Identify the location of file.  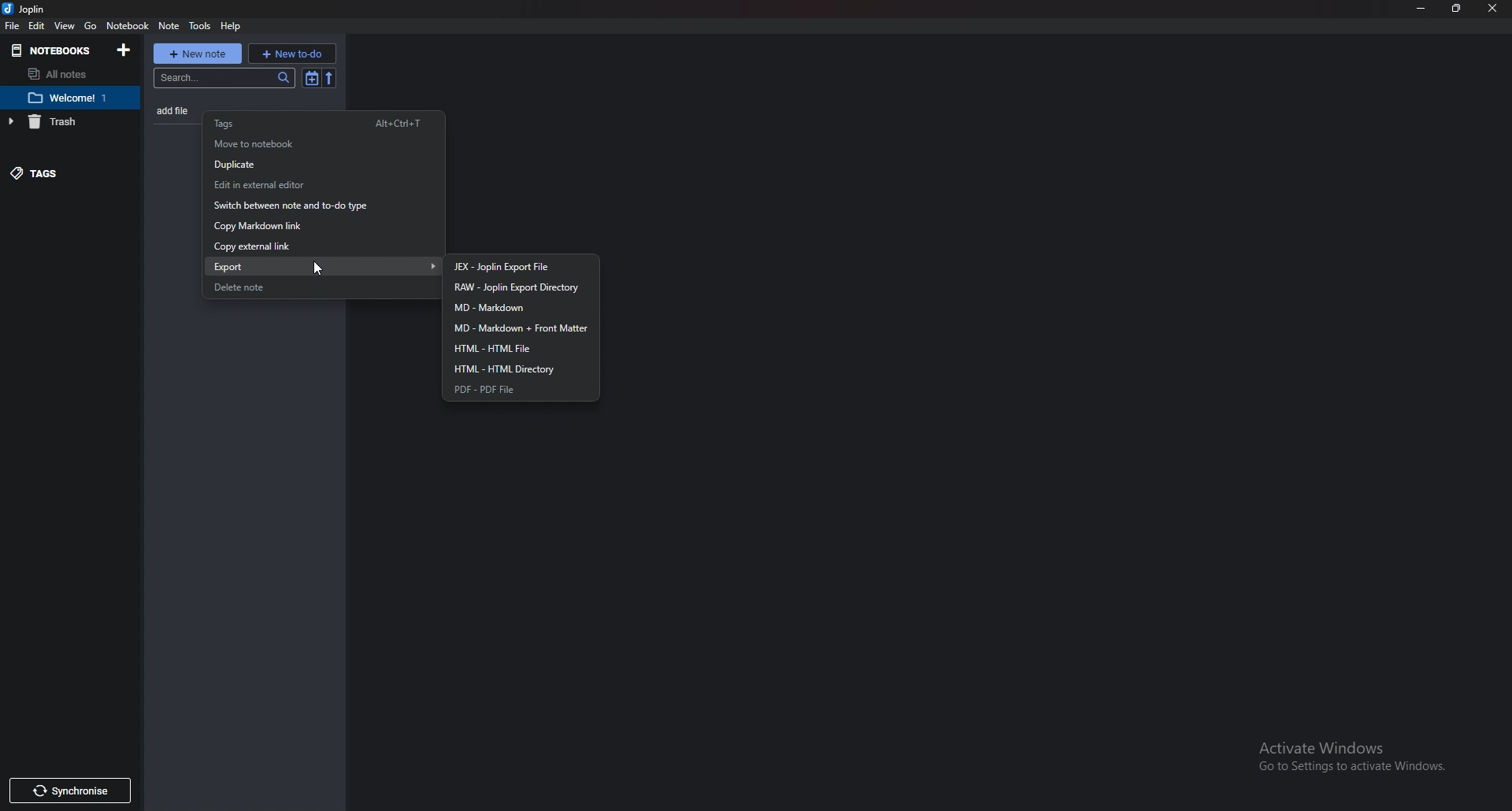
(14, 27).